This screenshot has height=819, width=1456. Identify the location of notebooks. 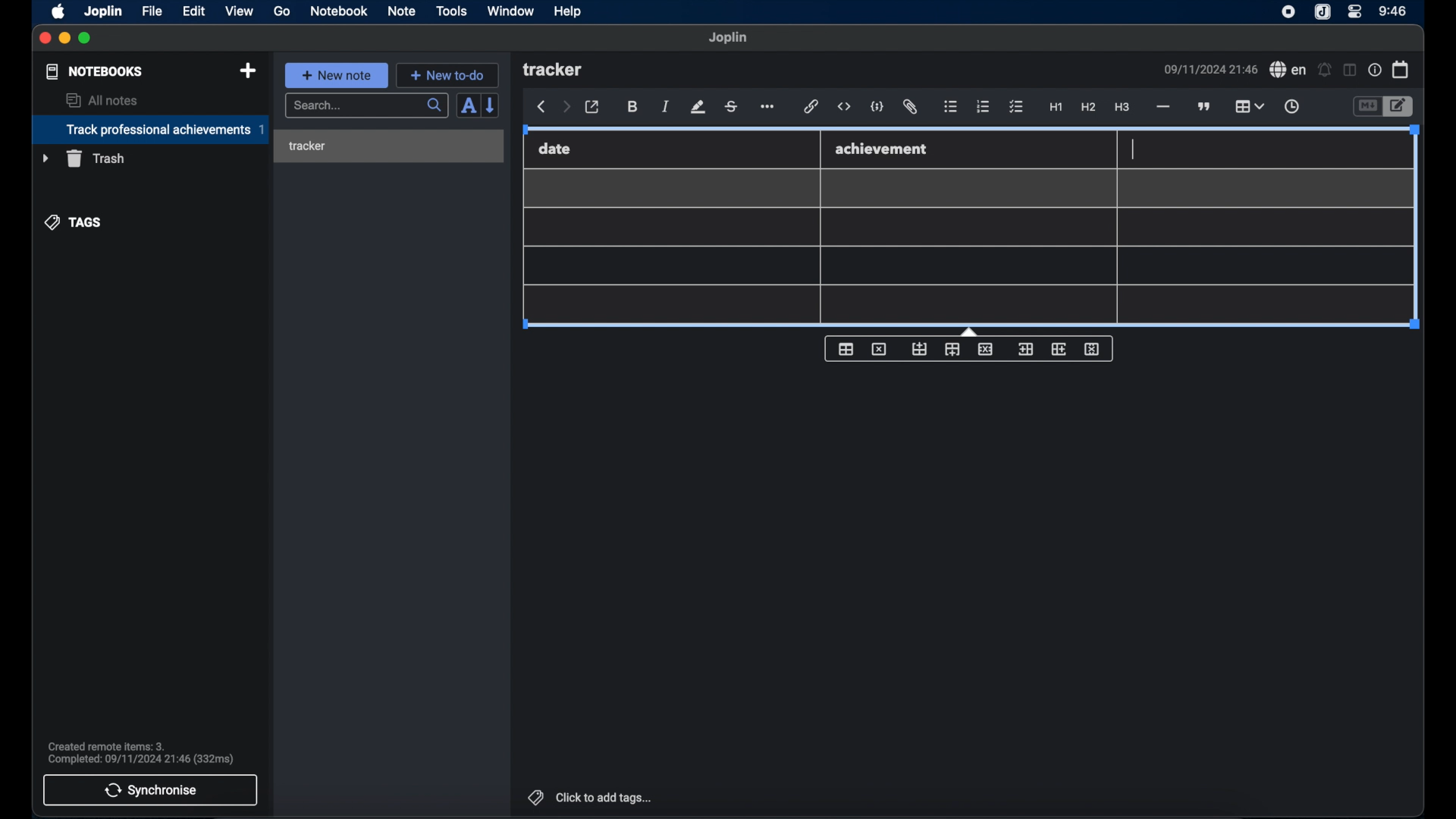
(93, 71).